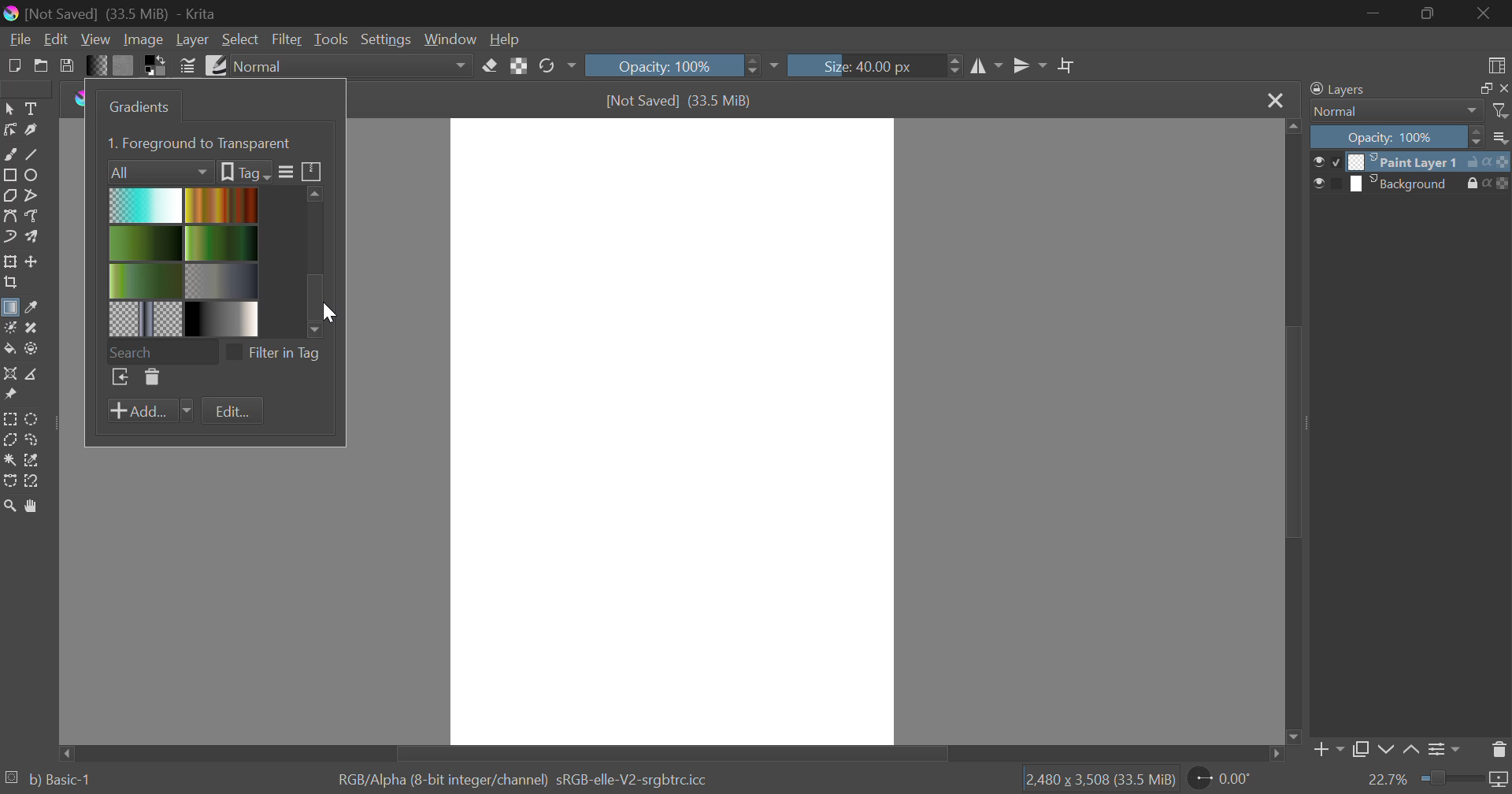 The image size is (1512, 794). Describe the element at coordinates (202, 142) in the screenshot. I see `1. Foreground to Transparent` at that location.